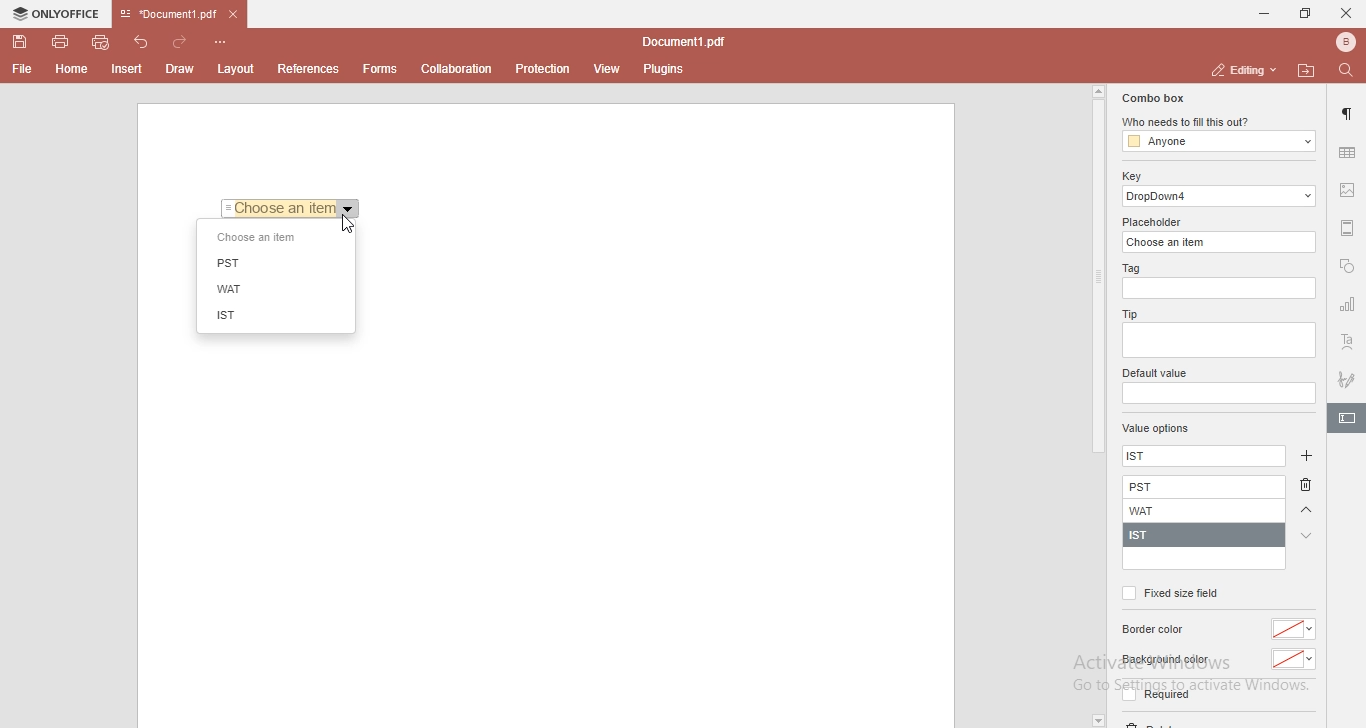 This screenshot has width=1366, height=728. I want to click on choose an item, so click(1221, 241).